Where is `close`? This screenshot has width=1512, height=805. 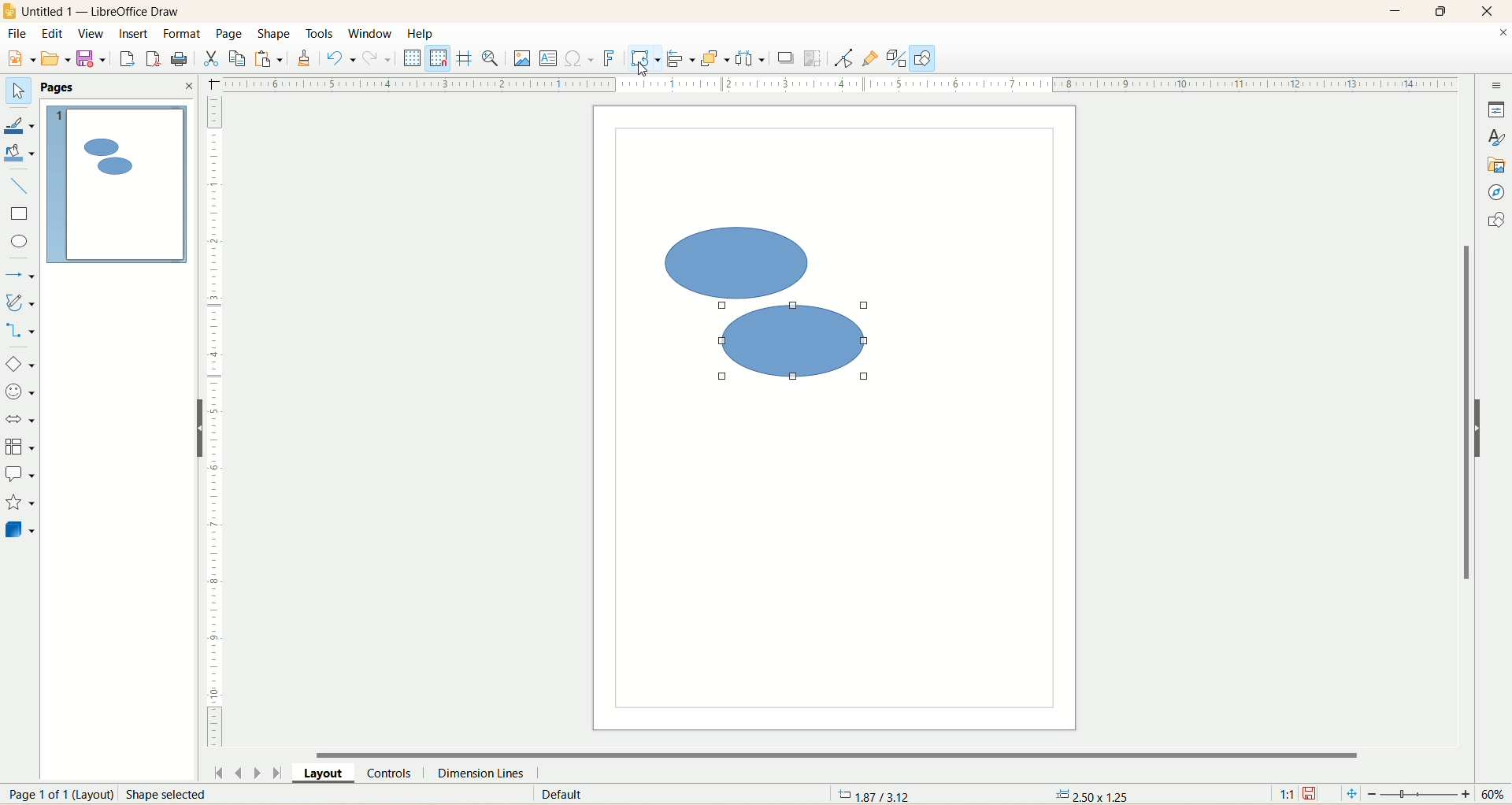 close is located at coordinates (188, 87).